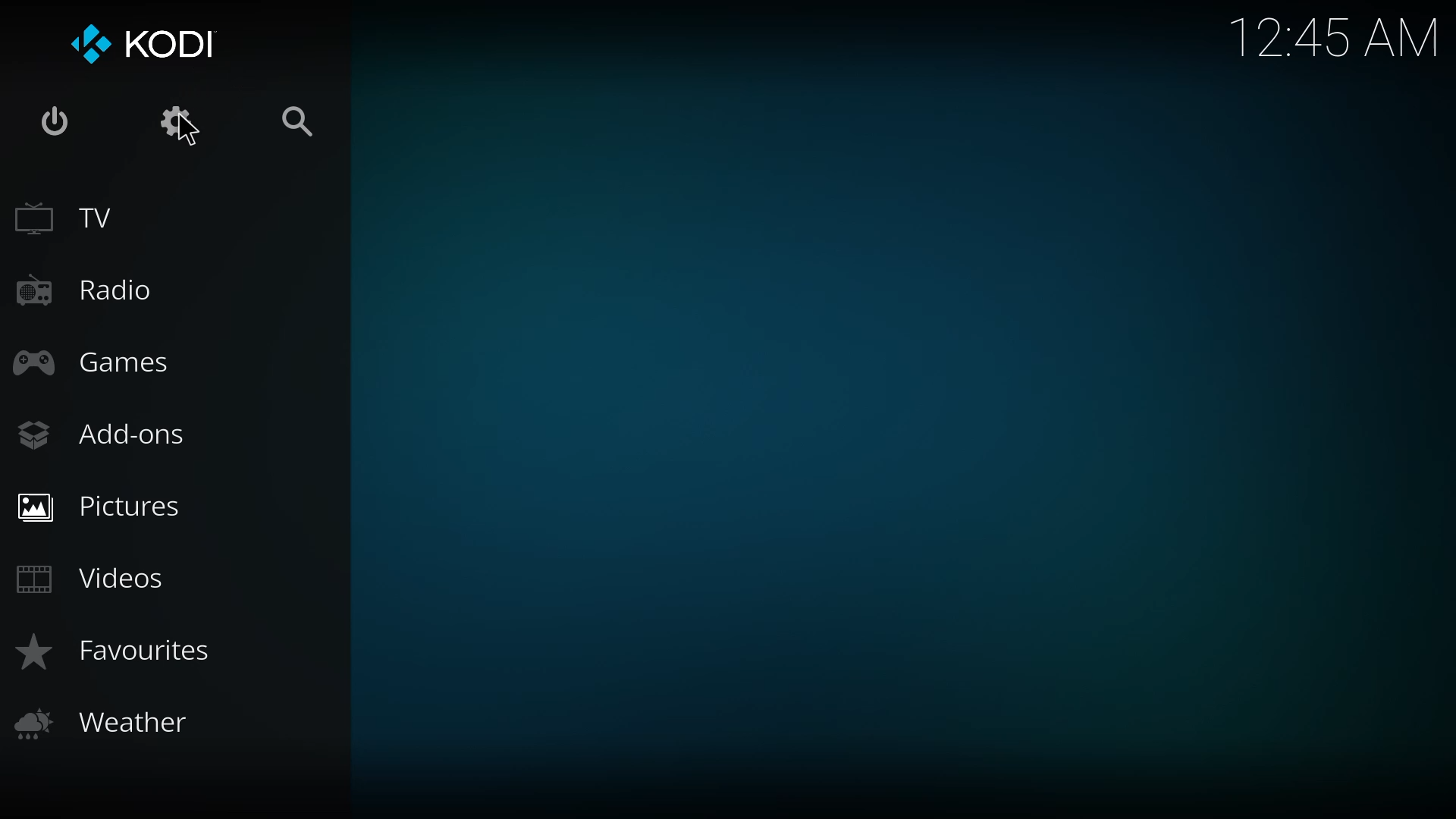 This screenshot has height=819, width=1456. What do you see at coordinates (1338, 35) in the screenshot?
I see `time` at bounding box center [1338, 35].